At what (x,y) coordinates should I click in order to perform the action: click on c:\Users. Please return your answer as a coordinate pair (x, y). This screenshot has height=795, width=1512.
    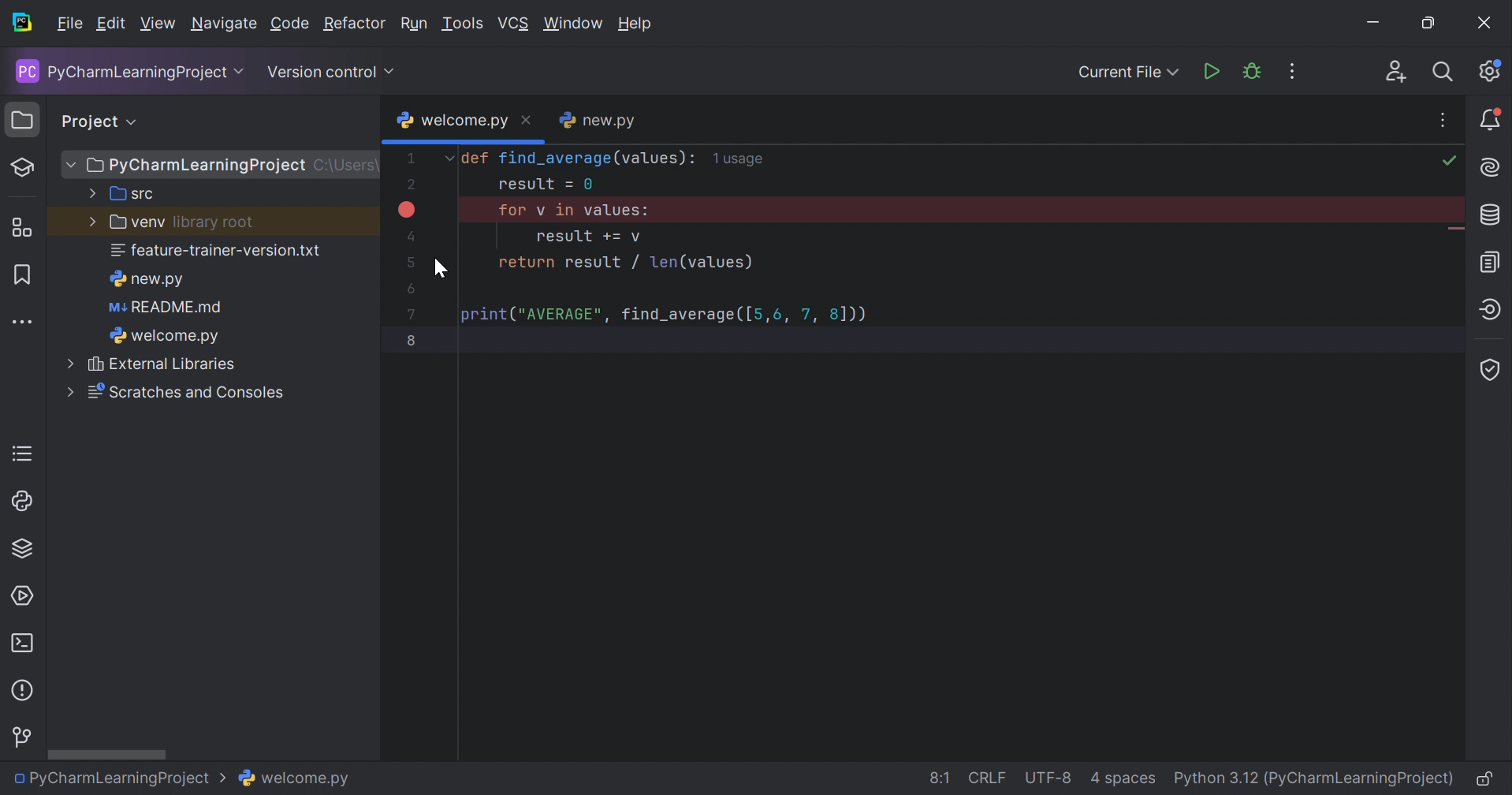
    Looking at the image, I should click on (348, 165).